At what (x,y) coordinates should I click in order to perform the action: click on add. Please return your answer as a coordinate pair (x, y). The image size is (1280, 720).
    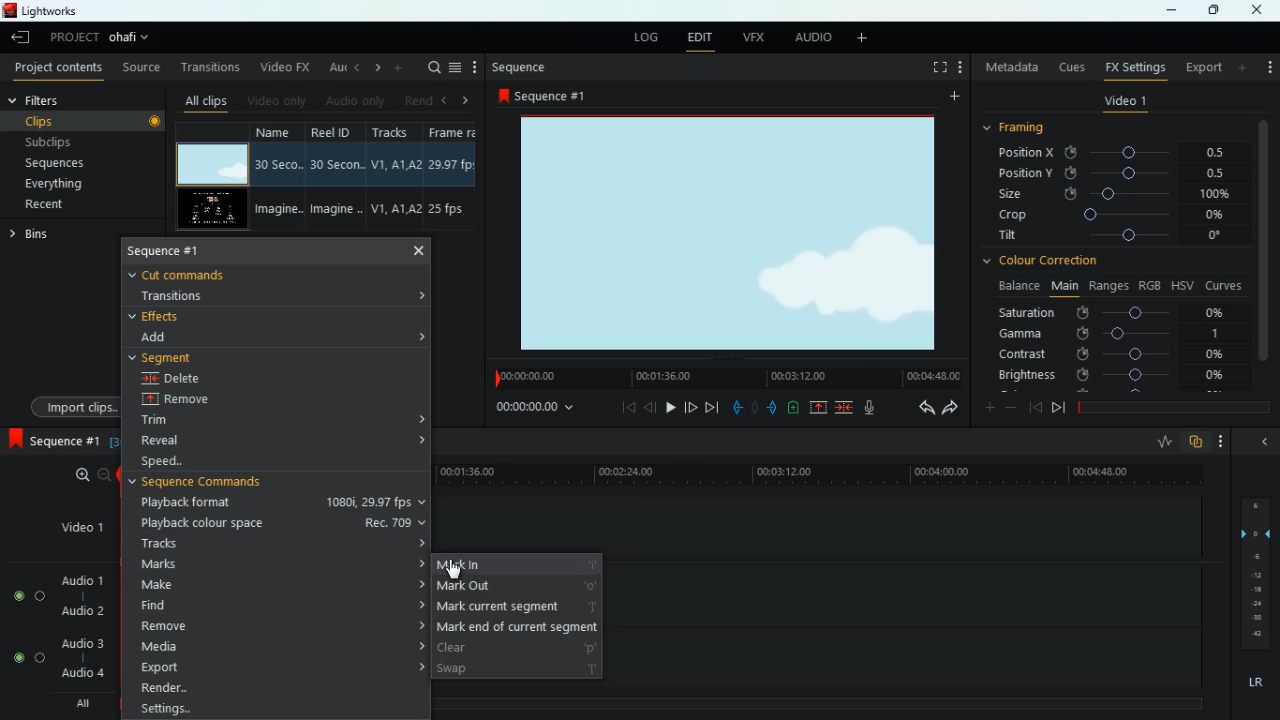
    Looking at the image, I should click on (398, 69).